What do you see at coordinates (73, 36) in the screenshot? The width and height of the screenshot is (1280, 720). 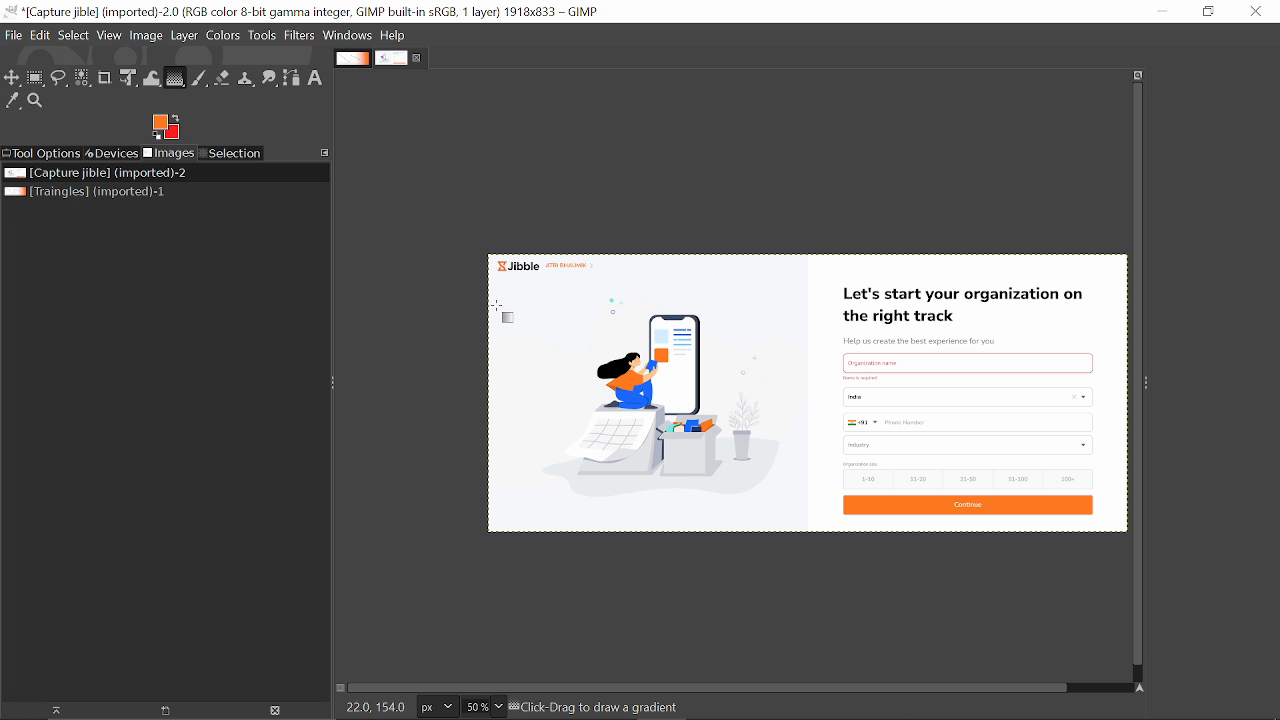 I see `Select` at bounding box center [73, 36].